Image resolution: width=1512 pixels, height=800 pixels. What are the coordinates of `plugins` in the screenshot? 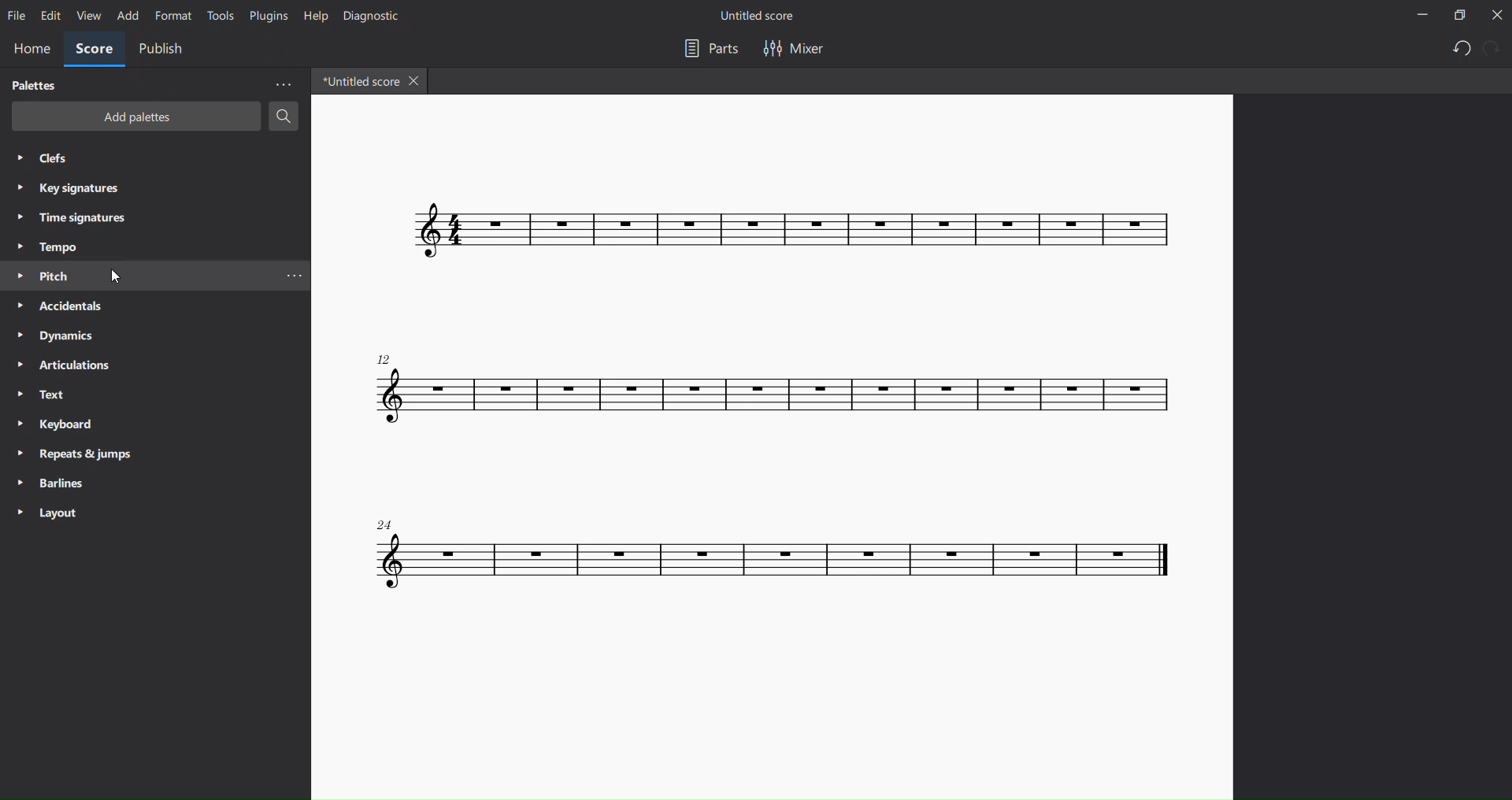 It's located at (265, 15).